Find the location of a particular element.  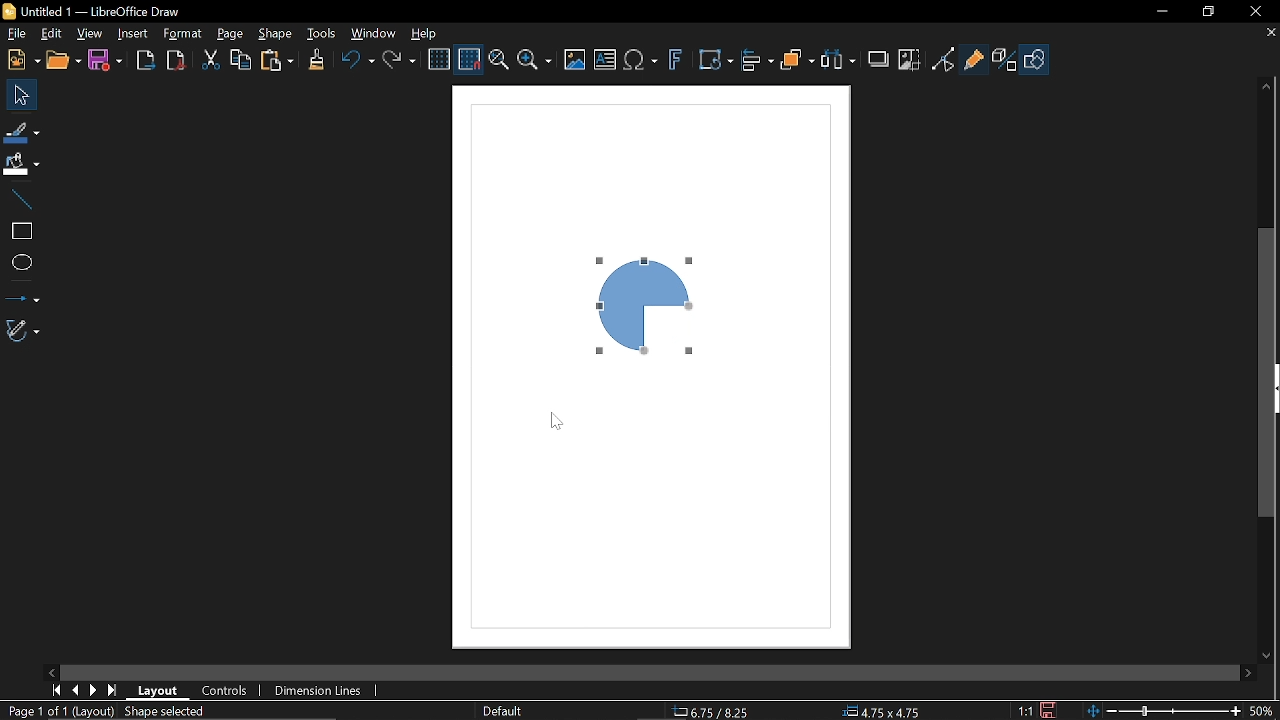

Edit is located at coordinates (50, 34).